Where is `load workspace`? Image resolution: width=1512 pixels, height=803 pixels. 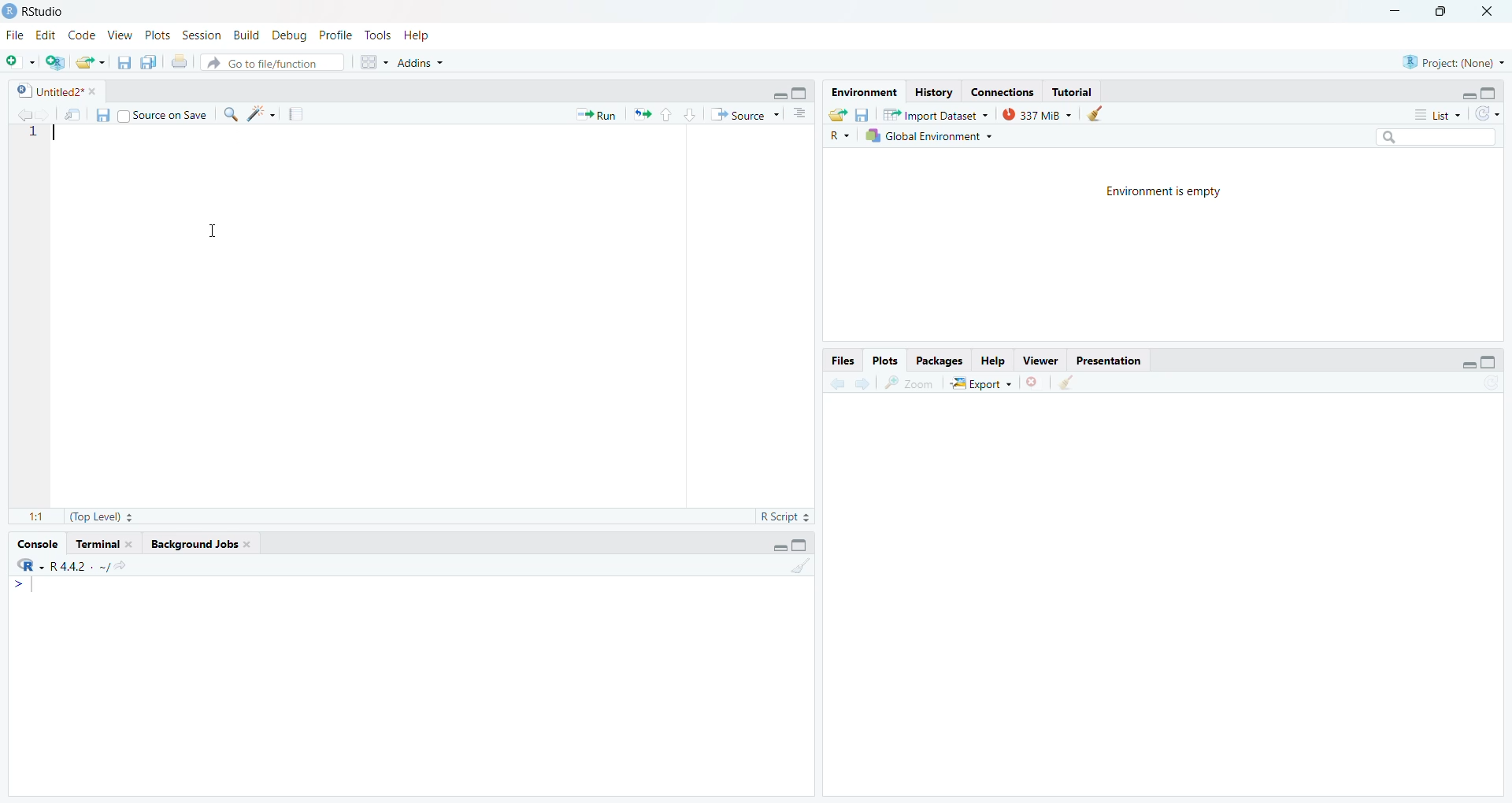 load workspace is located at coordinates (838, 115).